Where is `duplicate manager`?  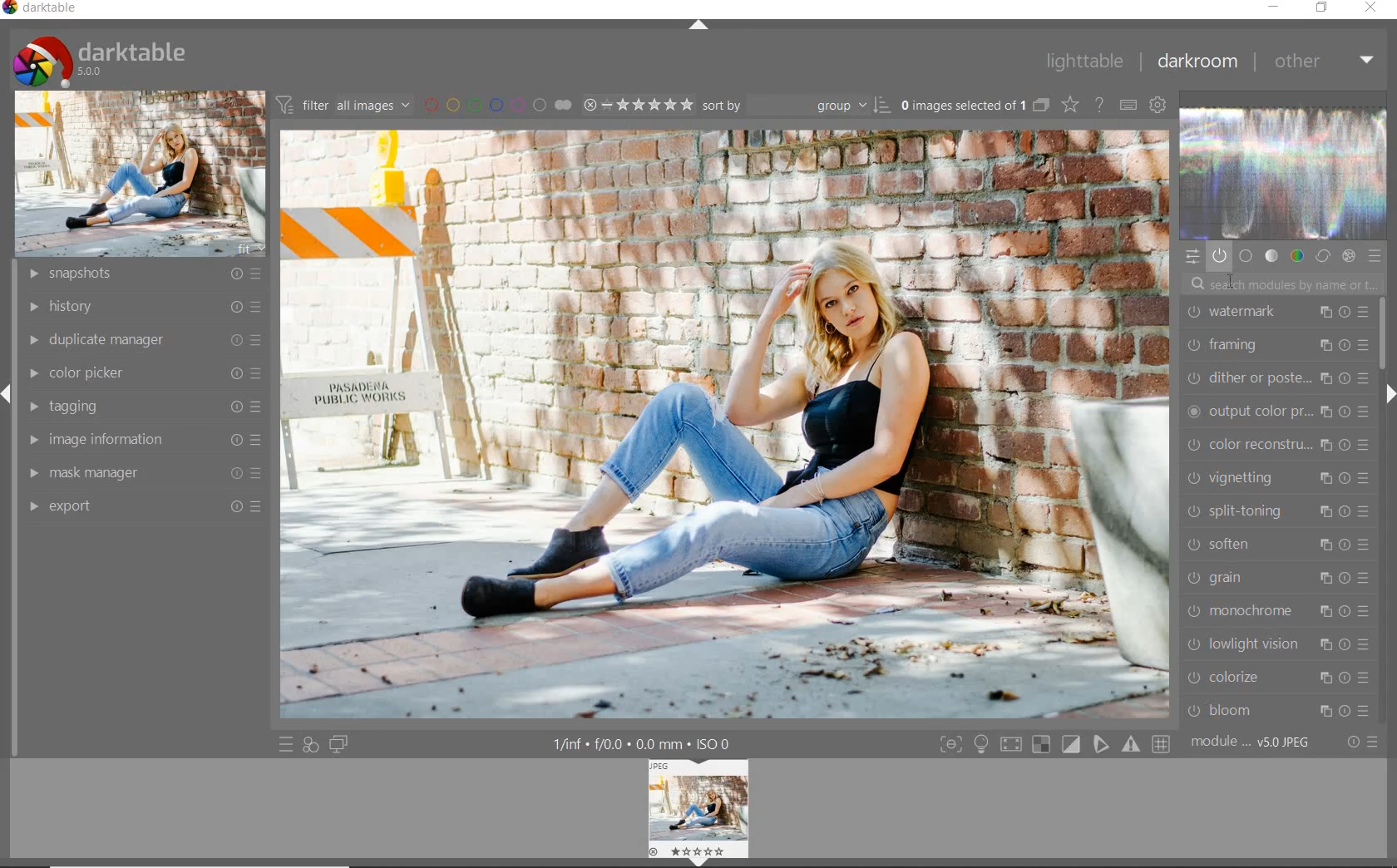 duplicate manager is located at coordinates (140, 341).